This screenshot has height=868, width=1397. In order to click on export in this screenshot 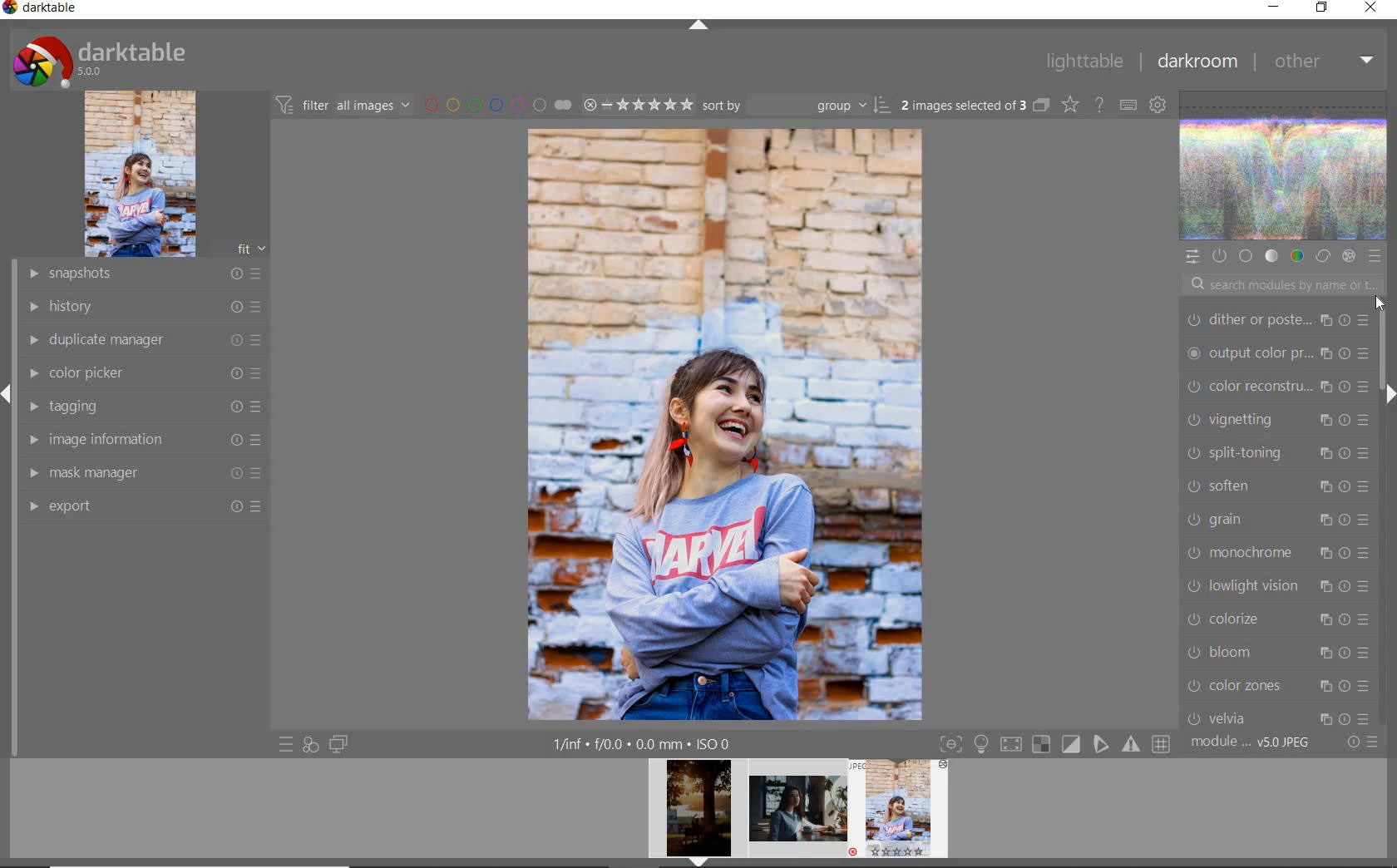, I will do `click(143, 506)`.